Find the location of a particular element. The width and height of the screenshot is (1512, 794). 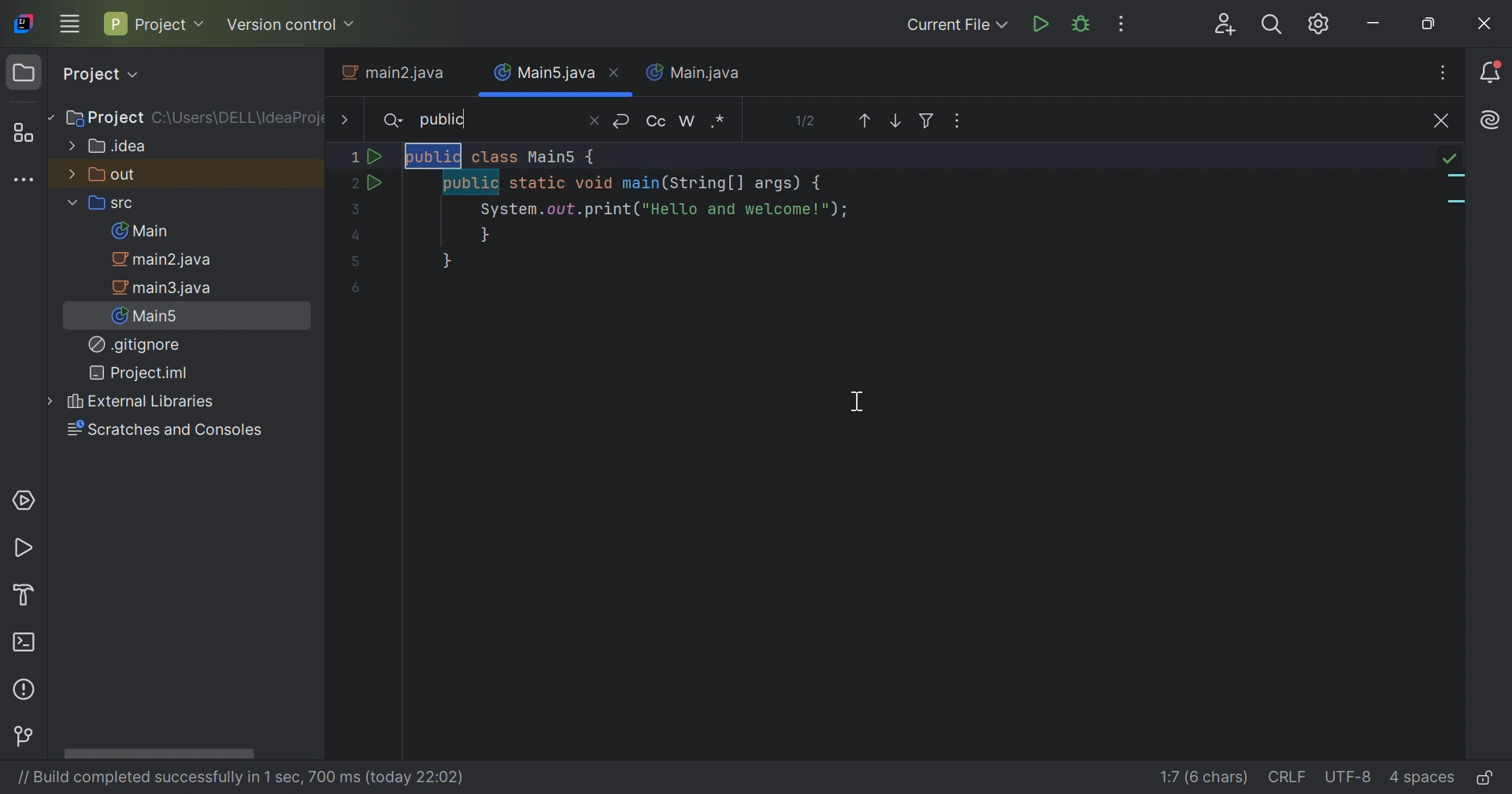

.gitignore is located at coordinates (135, 345).